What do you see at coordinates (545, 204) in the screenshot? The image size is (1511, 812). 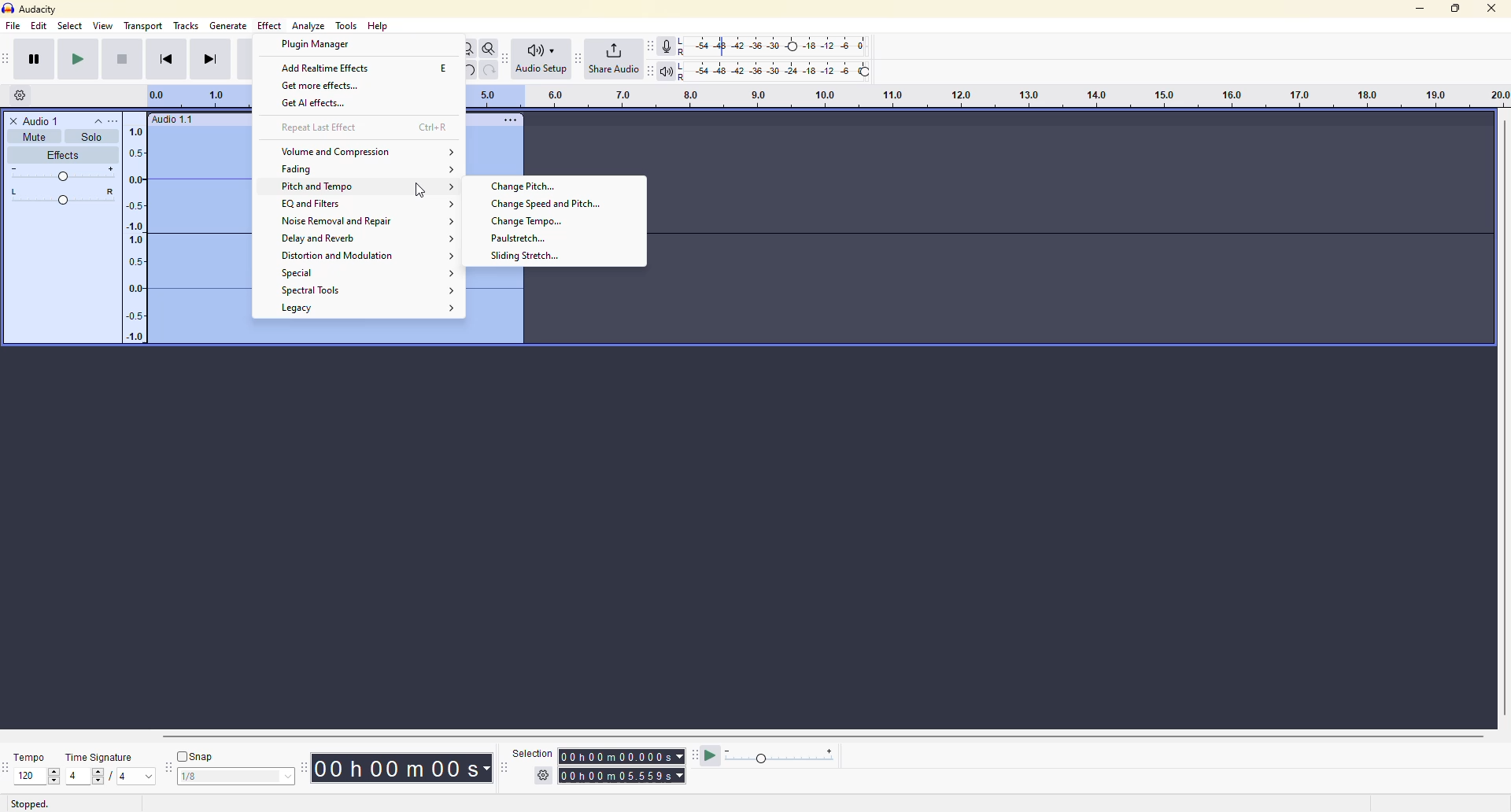 I see `change speed and pitch` at bounding box center [545, 204].